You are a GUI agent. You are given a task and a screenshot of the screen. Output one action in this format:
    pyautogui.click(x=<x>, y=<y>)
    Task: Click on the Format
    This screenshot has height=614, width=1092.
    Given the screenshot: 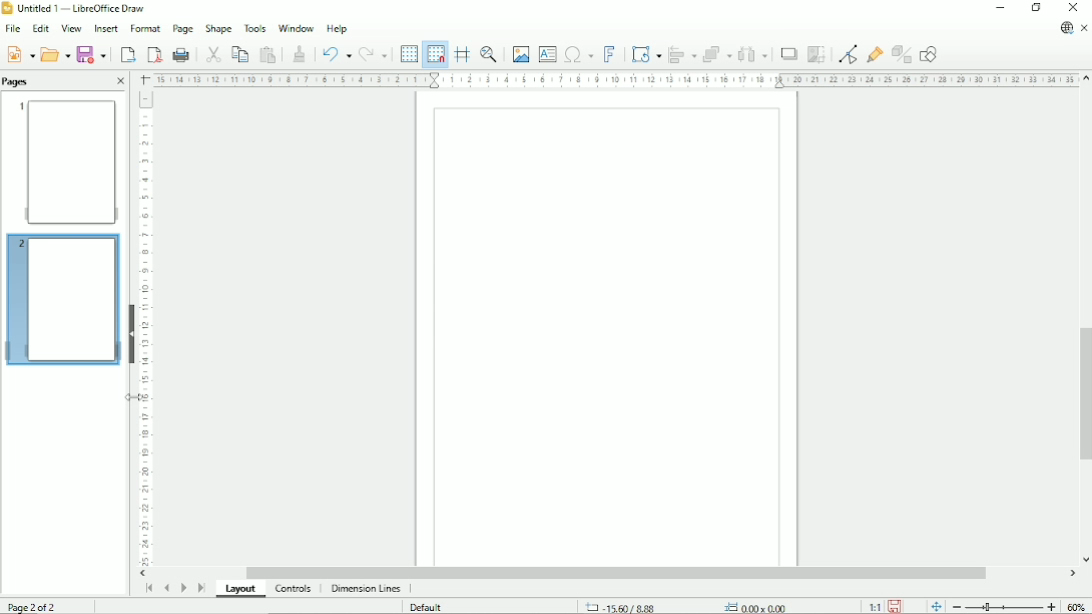 What is the action you would take?
    pyautogui.click(x=144, y=29)
    